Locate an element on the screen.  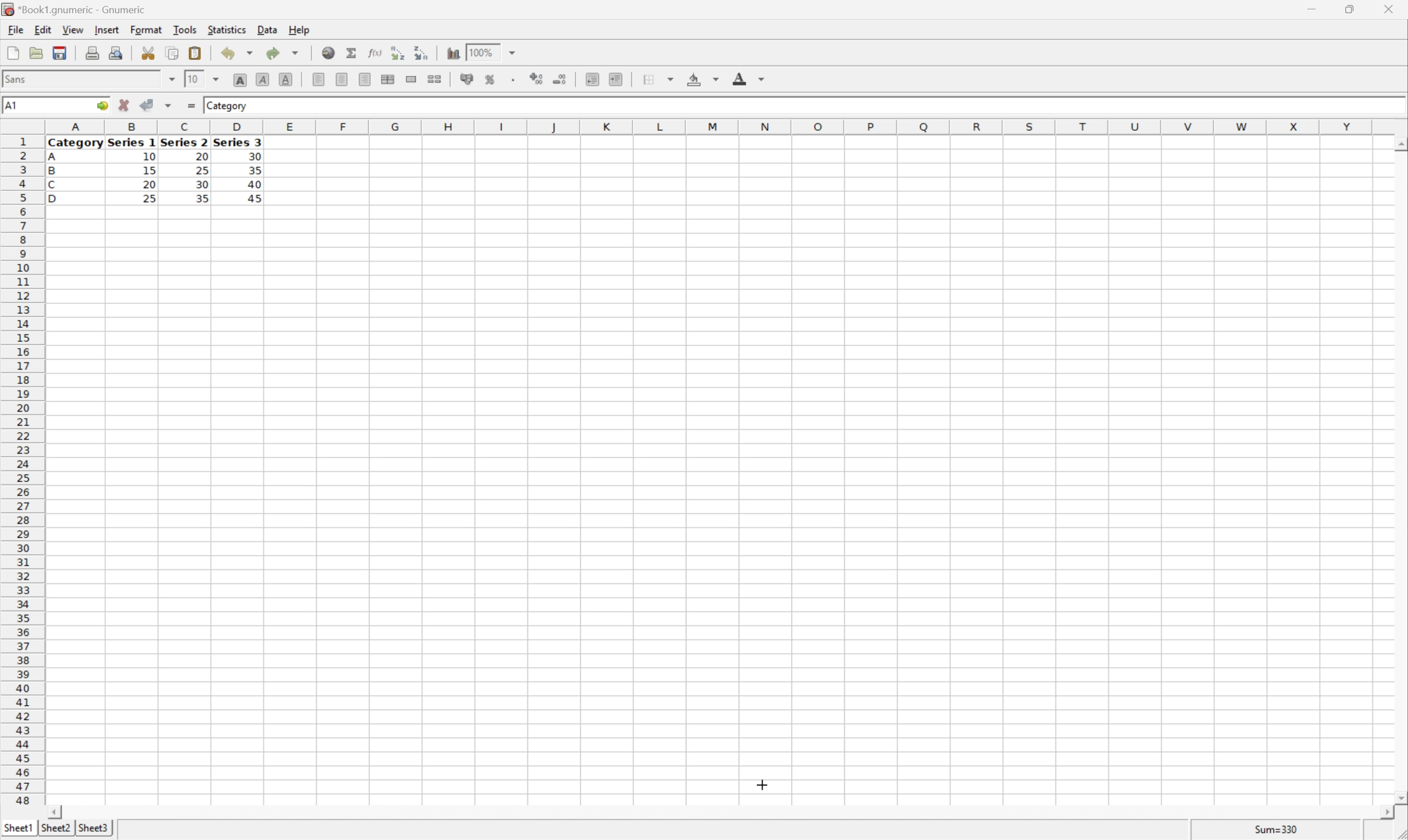
Bold is located at coordinates (241, 78).